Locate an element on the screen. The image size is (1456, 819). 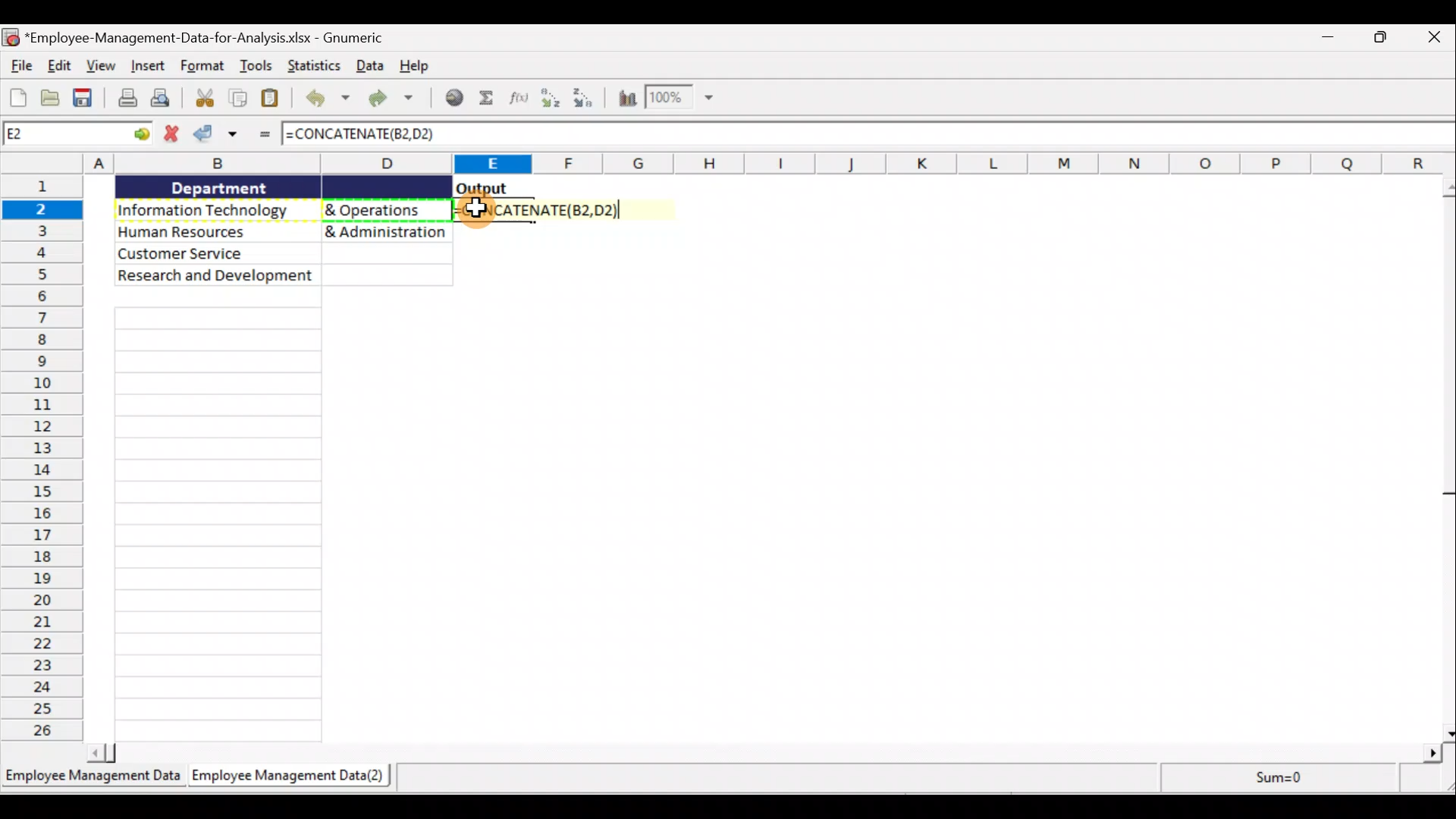
Data is located at coordinates (370, 67).